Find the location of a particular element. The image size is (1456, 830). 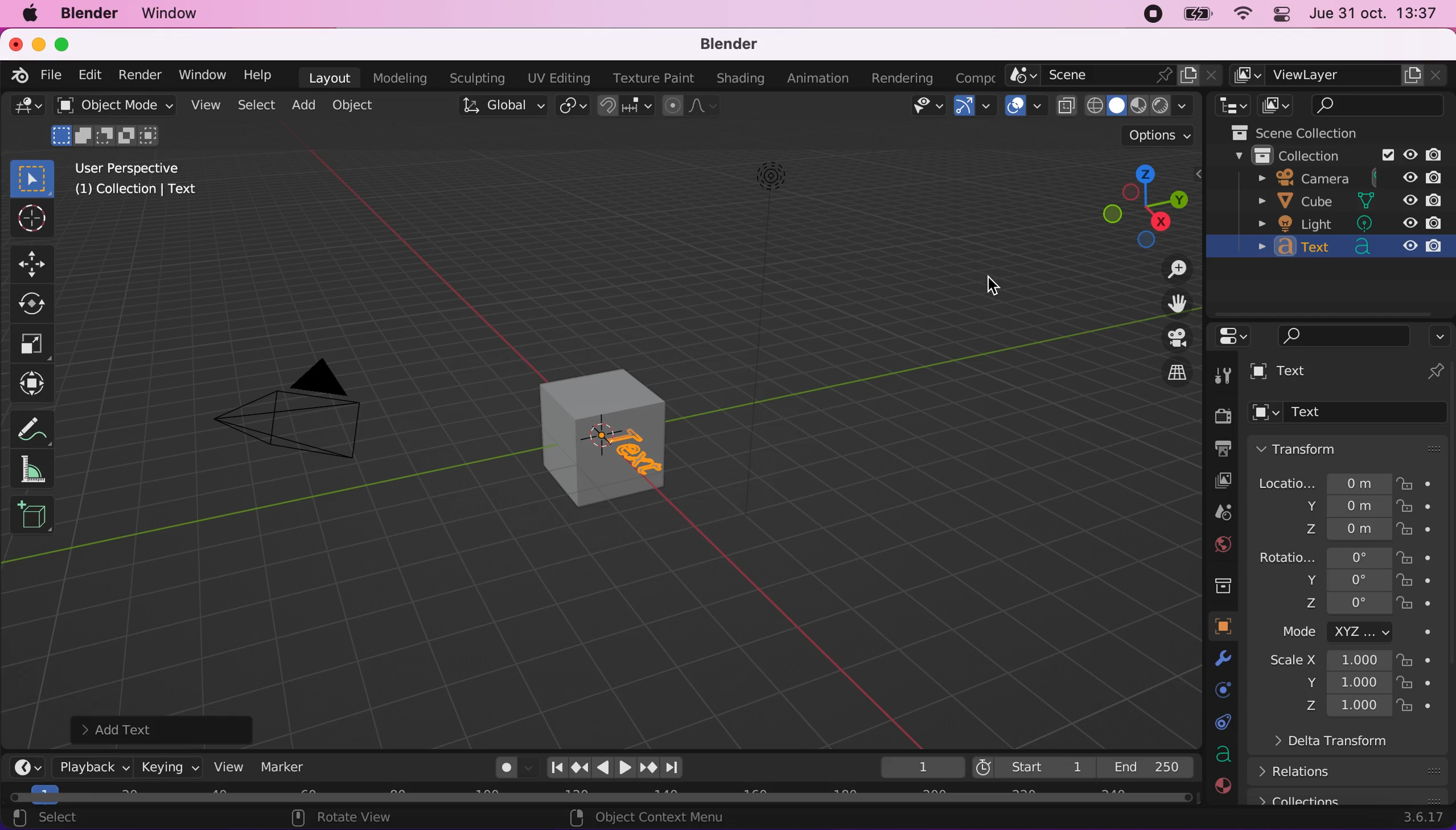

modifyers is located at coordinates (1222, 661).